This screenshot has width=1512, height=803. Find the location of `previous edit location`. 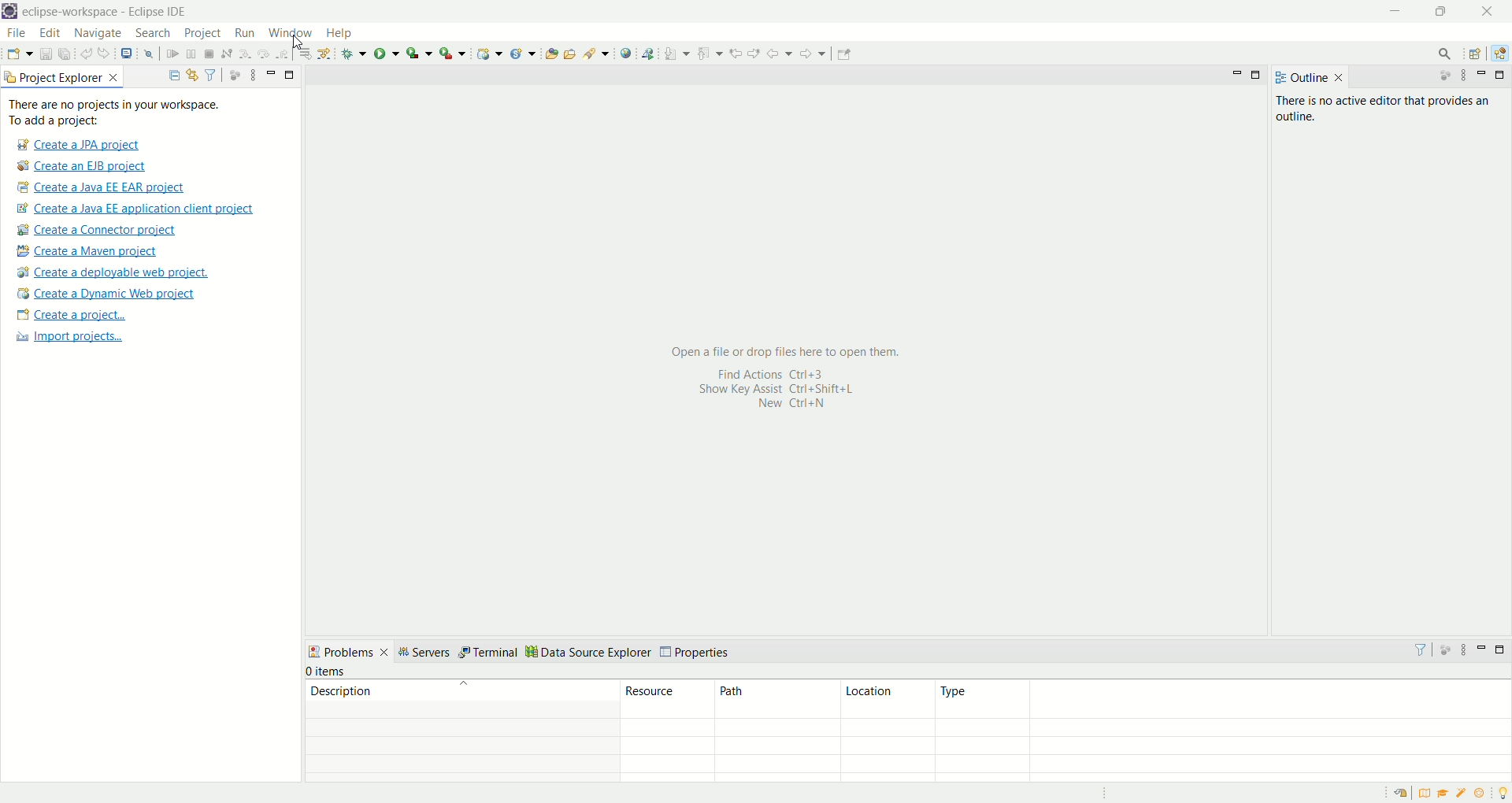

previous edit location is located at coordinates (739, 54).